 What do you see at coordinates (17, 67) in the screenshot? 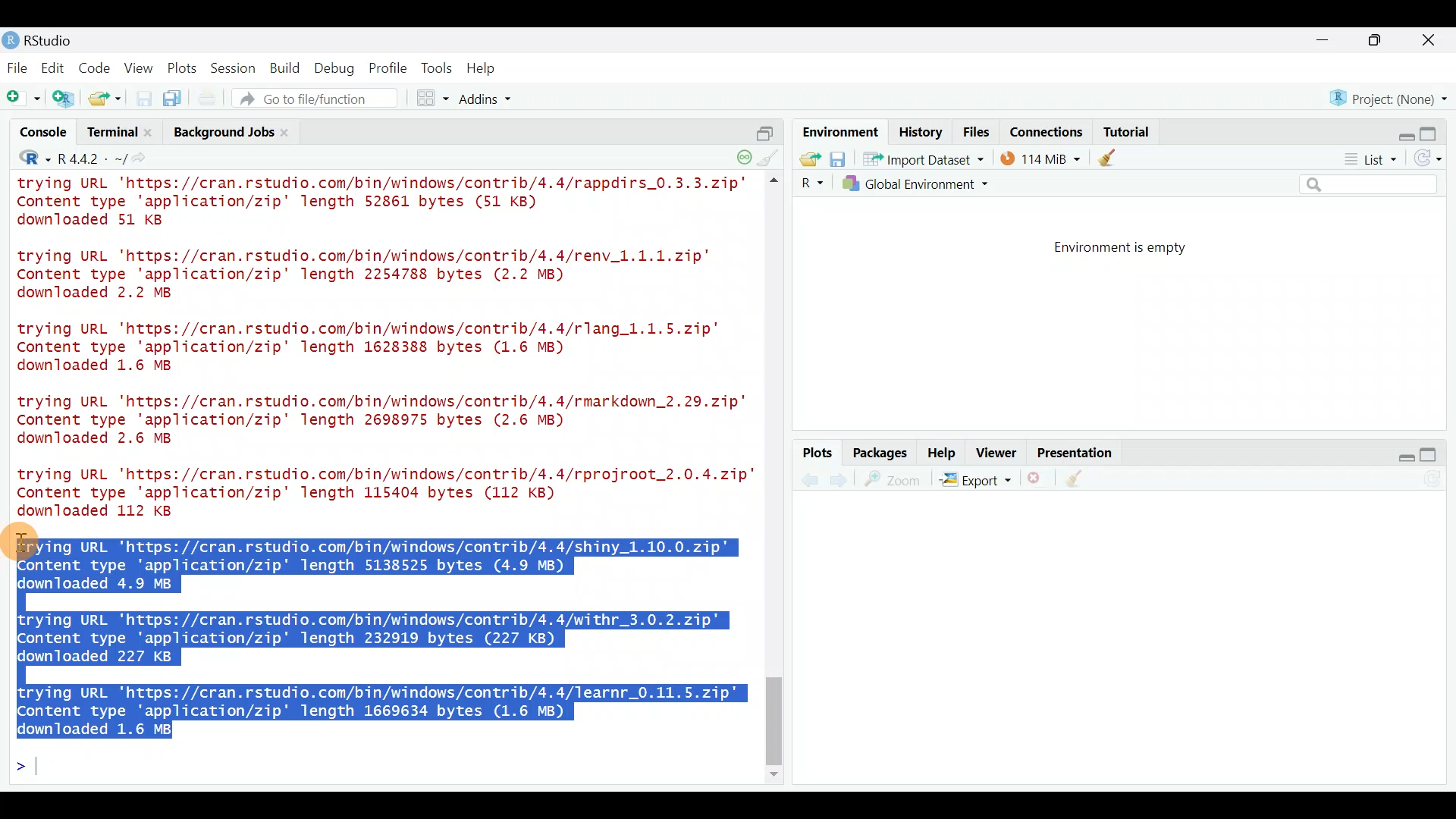
I see `File` at bounding box center [17, 67].